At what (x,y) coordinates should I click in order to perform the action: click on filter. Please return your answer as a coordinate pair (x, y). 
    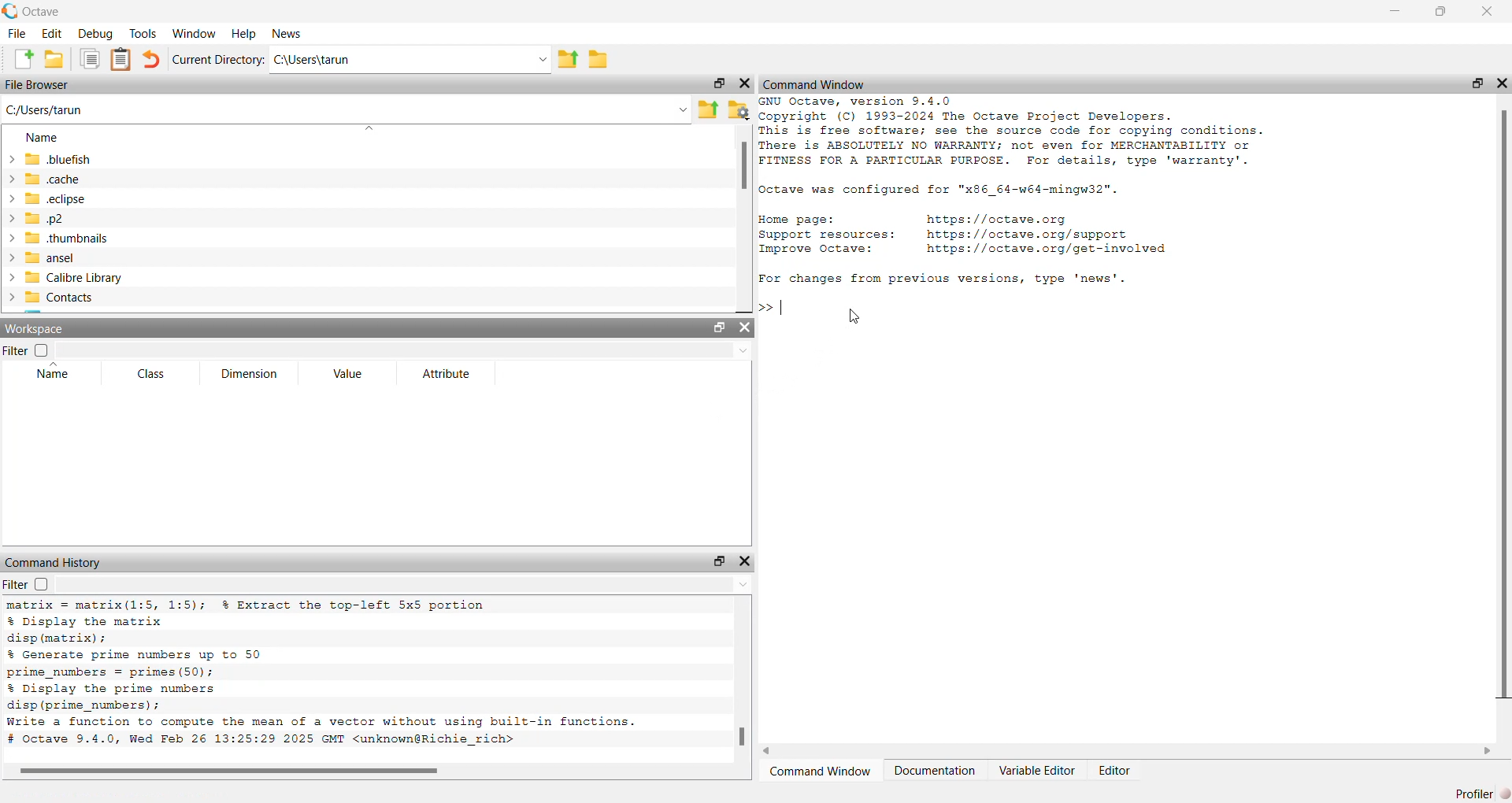
    Looking at the image, I should click on (27, 349).